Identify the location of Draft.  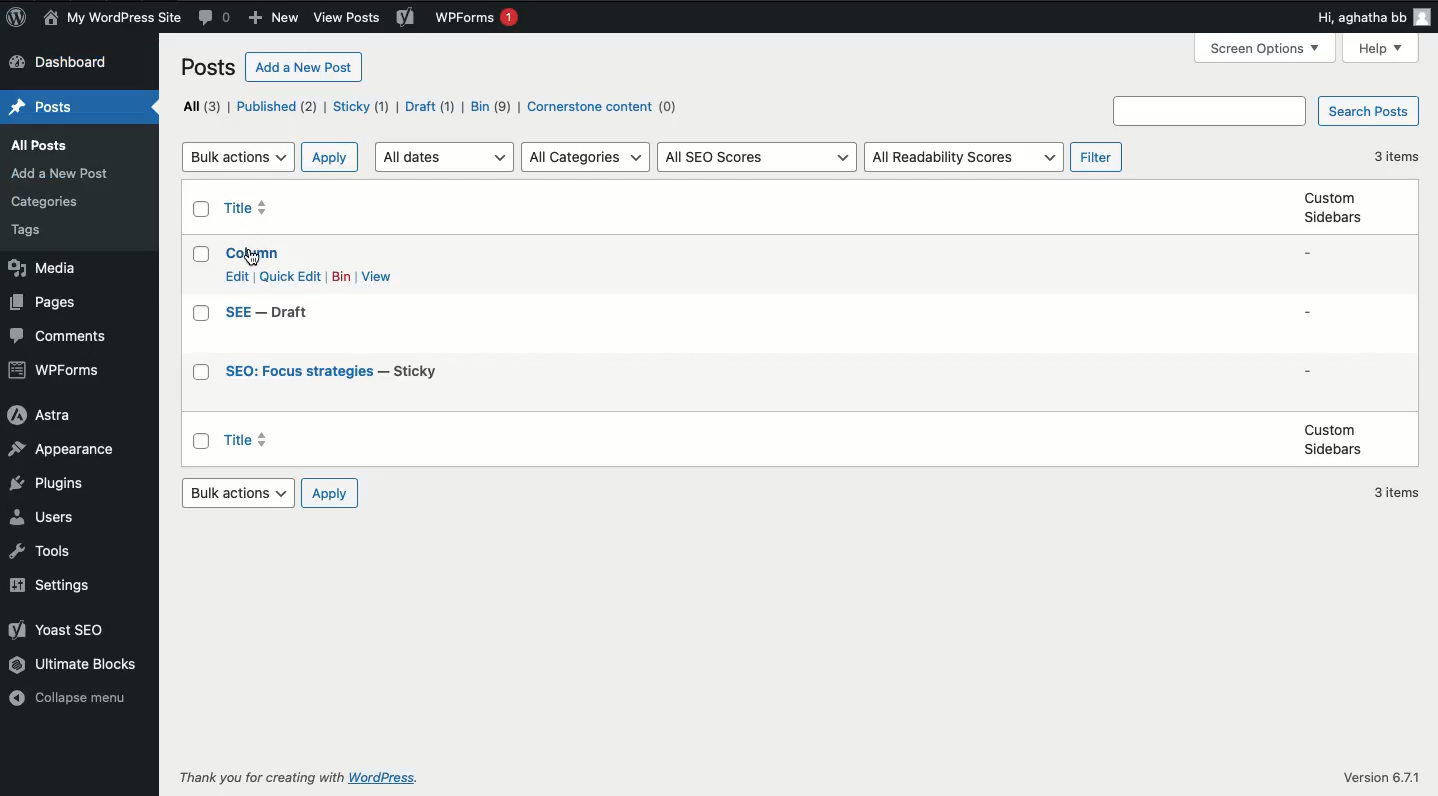
(430, 106).